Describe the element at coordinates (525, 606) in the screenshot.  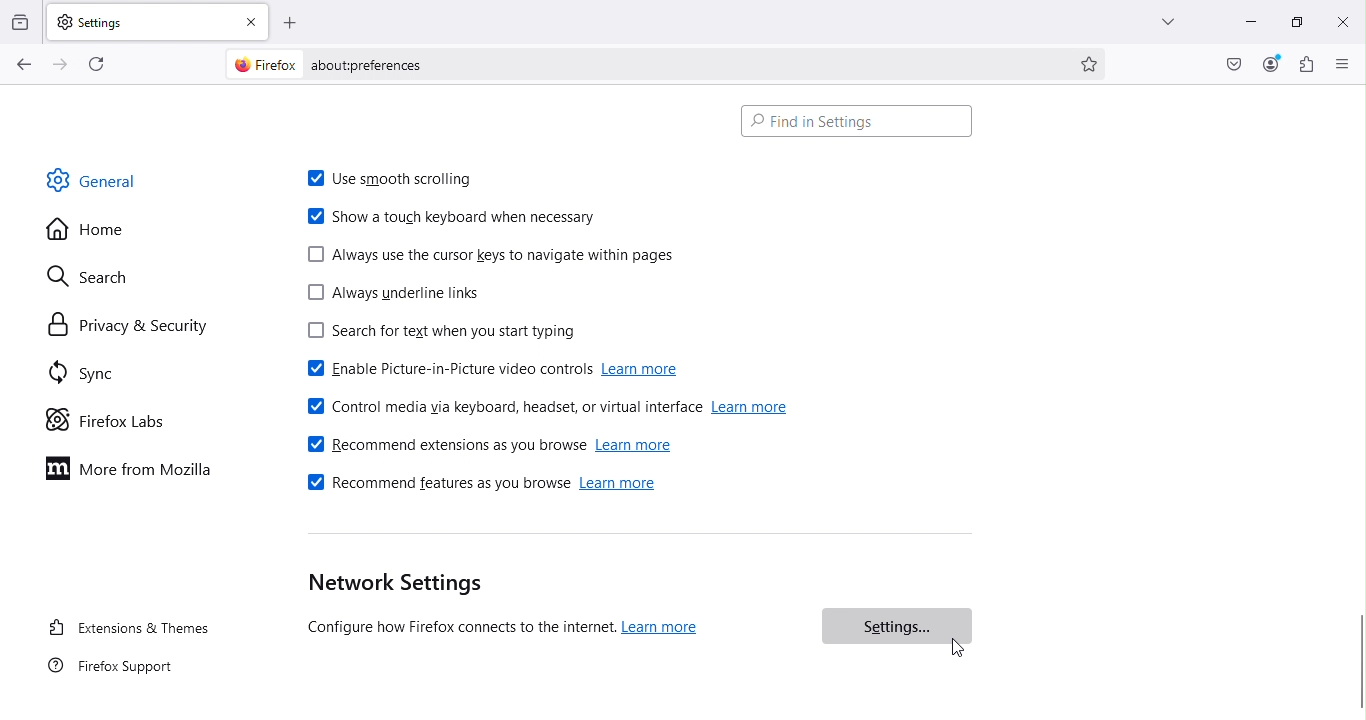
I see `Network settings` at that location.